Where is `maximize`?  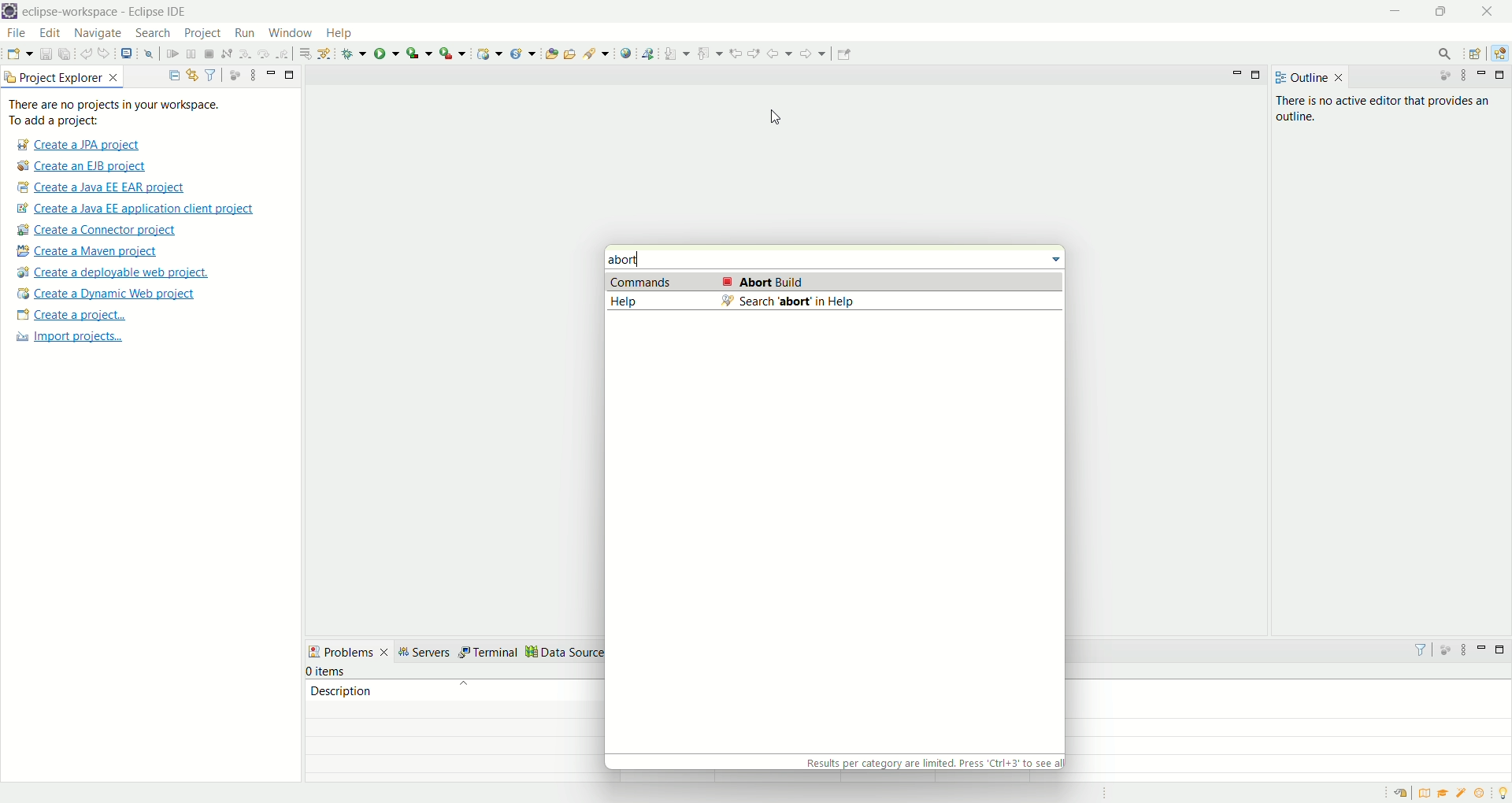
maximize is located at coordinates (291, 75).